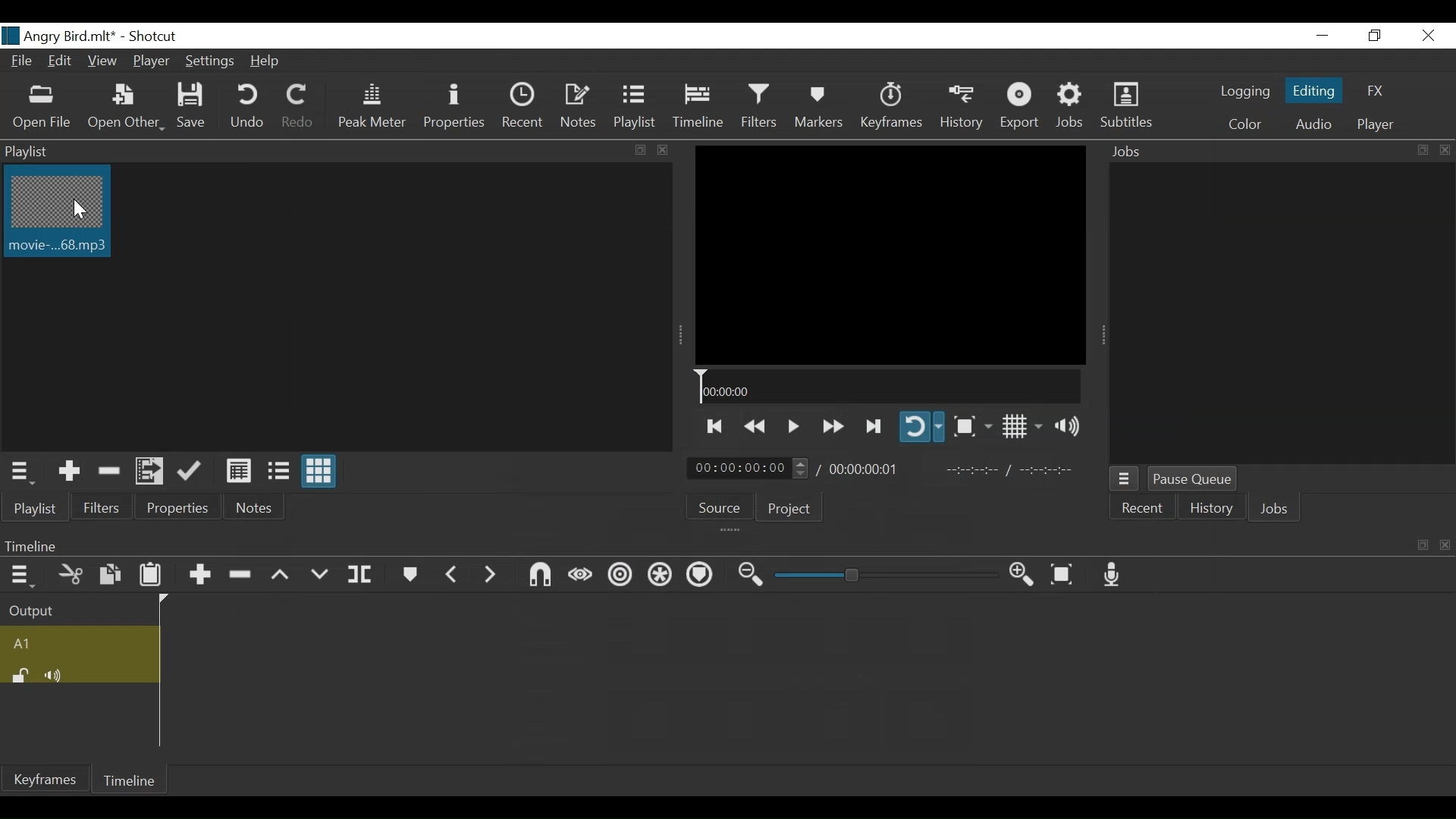 The image size is (1456, 819). I want to click on Zoom slider, so click(881, 576).